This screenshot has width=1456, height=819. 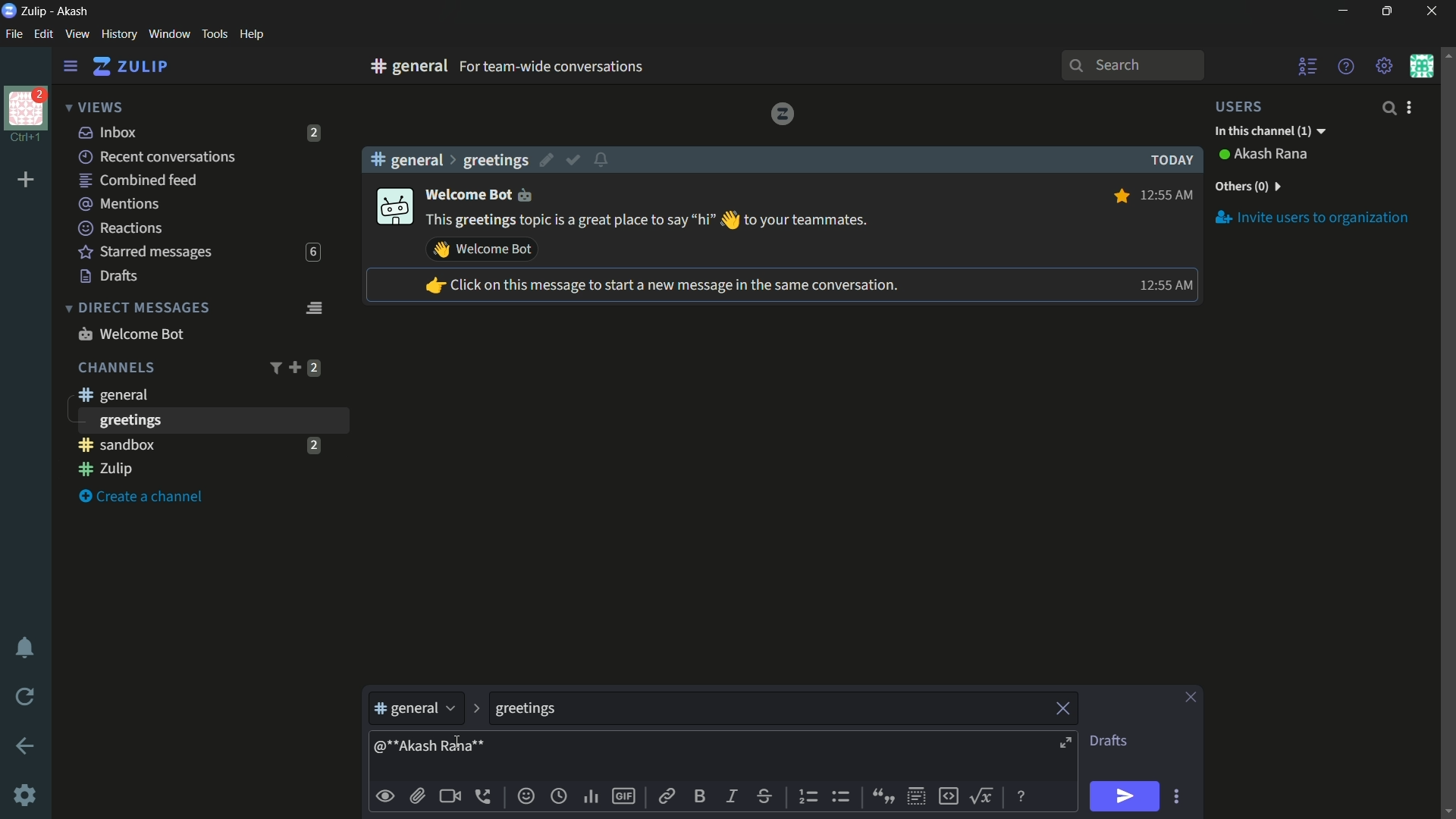 What do you see at coordinates (205, 470) in the screenshot?
I see `zulip channel` at bounding box center [205, 470].